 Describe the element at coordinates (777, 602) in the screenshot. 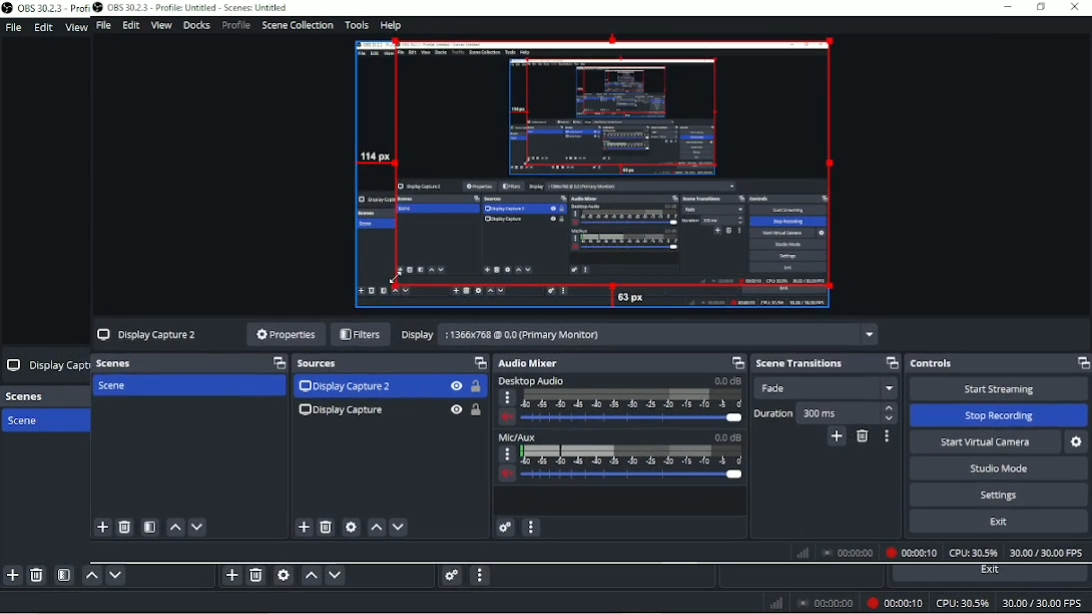

I see `Network` at that location.